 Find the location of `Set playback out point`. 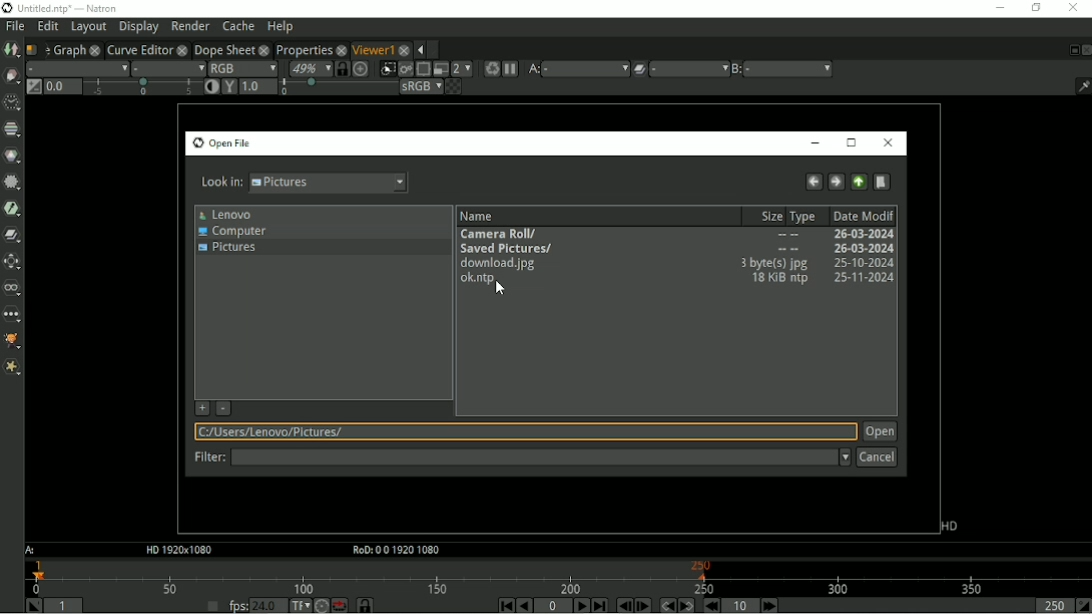

Set playback out point is located at coordinates (1083, 605).